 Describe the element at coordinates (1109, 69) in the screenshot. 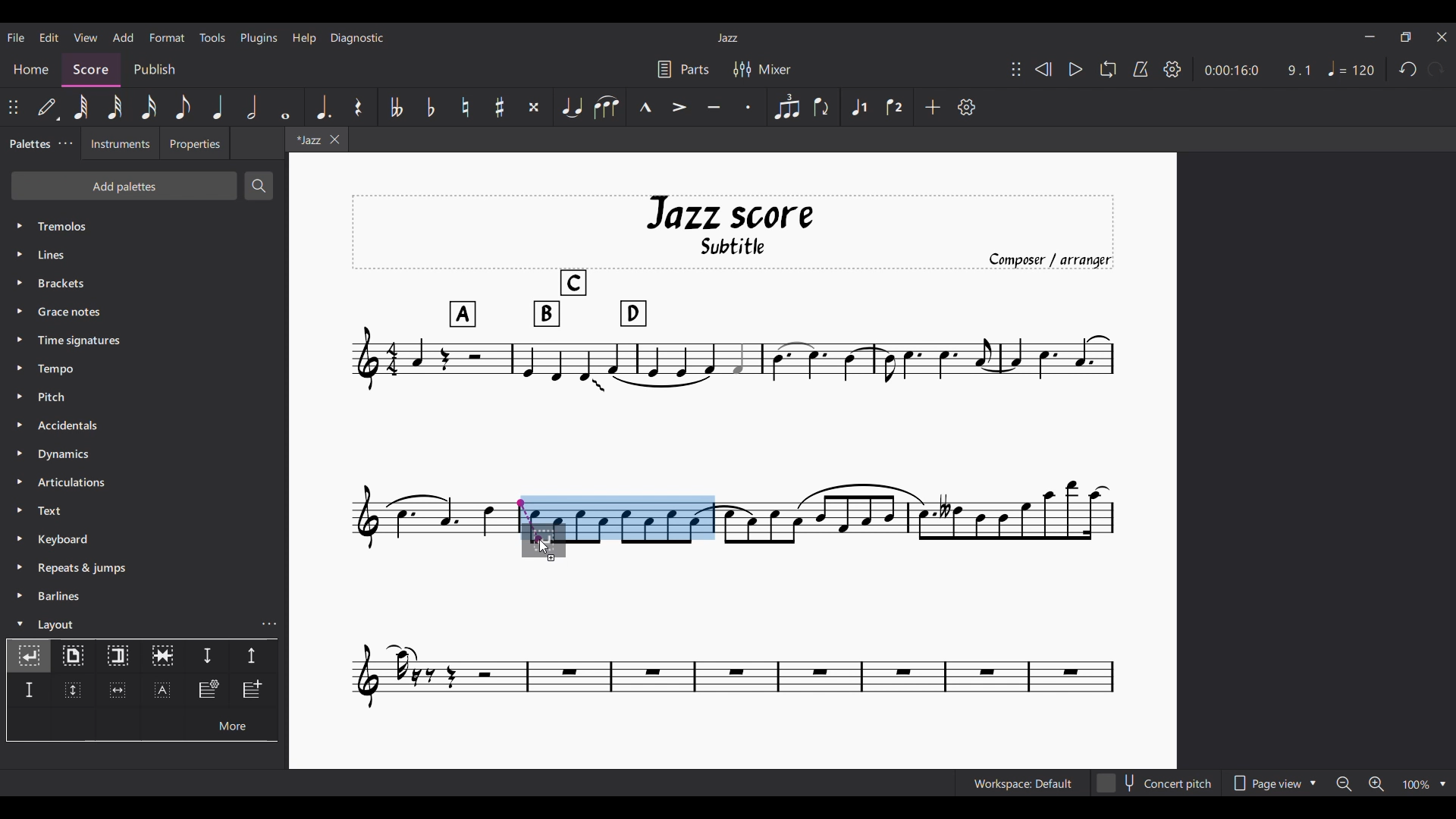

I see `Loop playback` at that location.